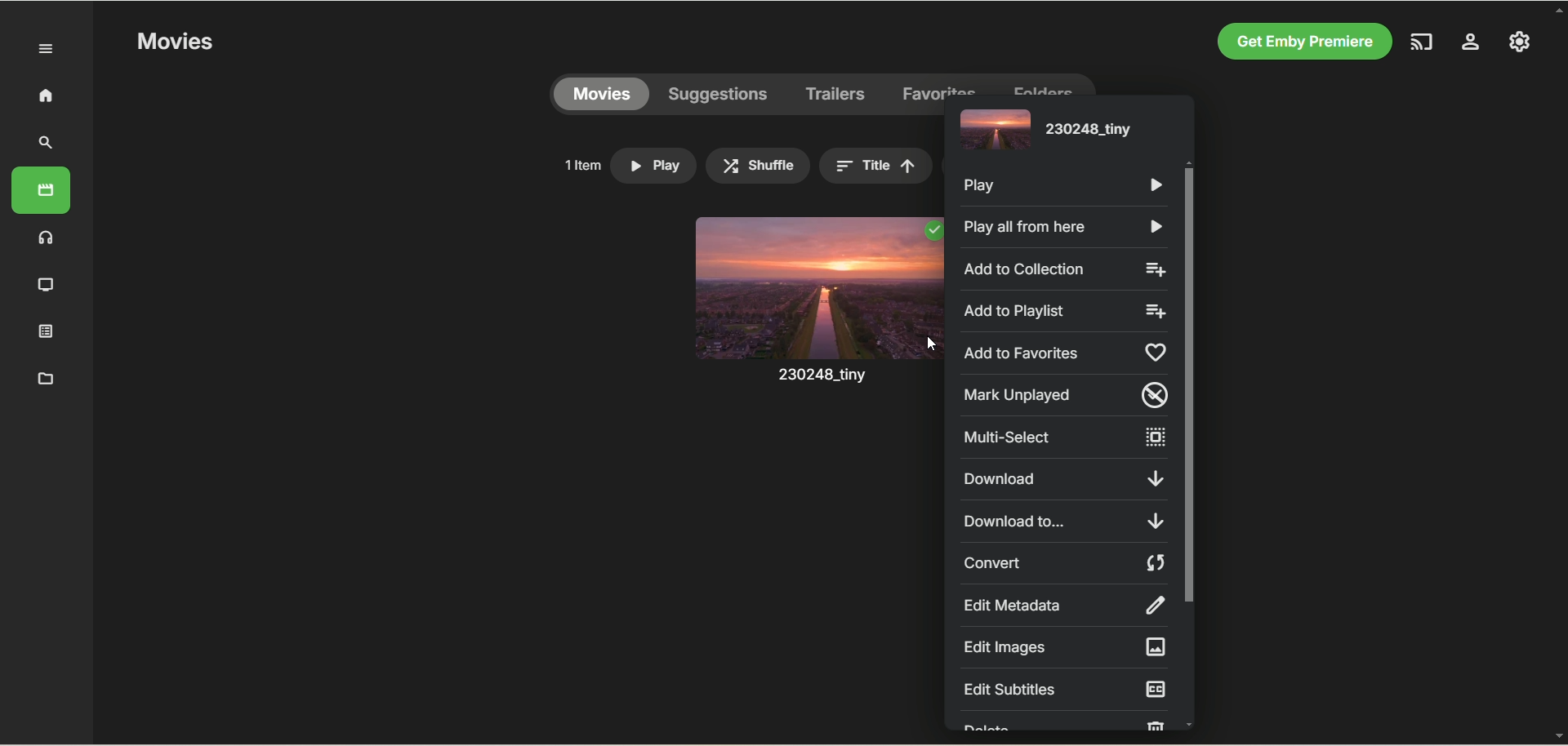  I want to click on music, so click(47, 237).